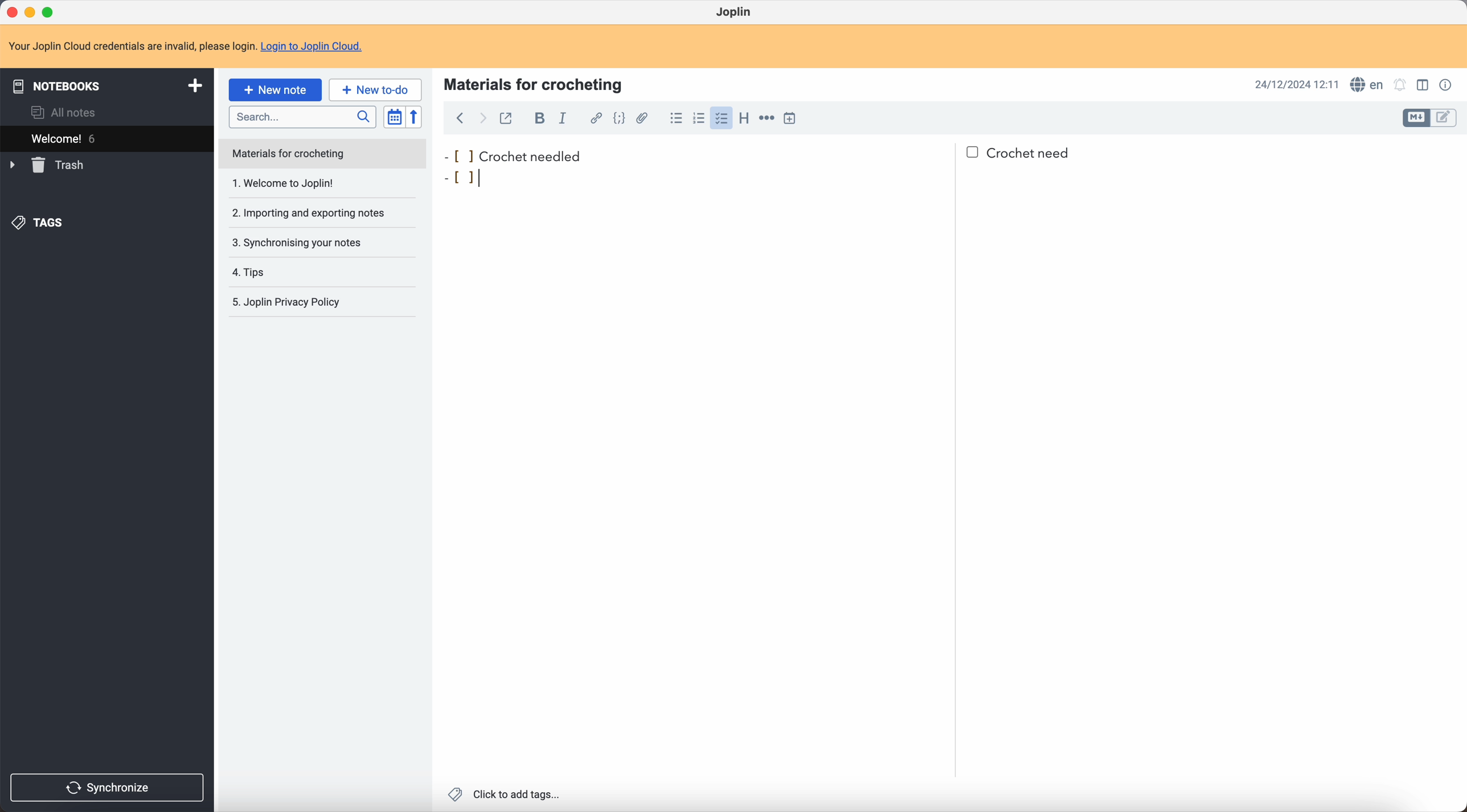 This screenshot has width=1467, height=812. Describe the element at coordinates (735, 13) in the screenshot. I see `Joplin` at that location.